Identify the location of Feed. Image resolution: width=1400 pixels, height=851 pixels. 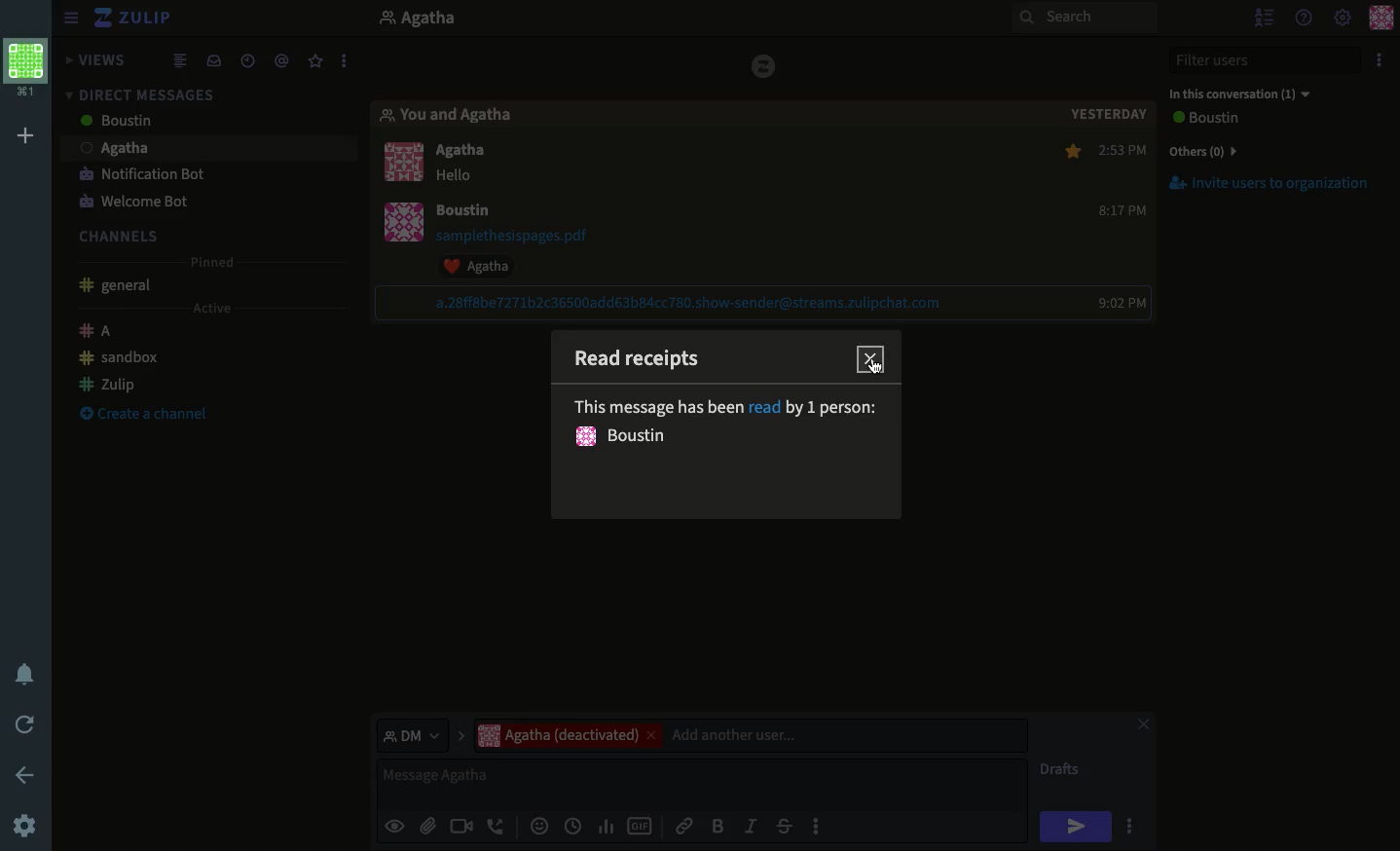
(183, 59).